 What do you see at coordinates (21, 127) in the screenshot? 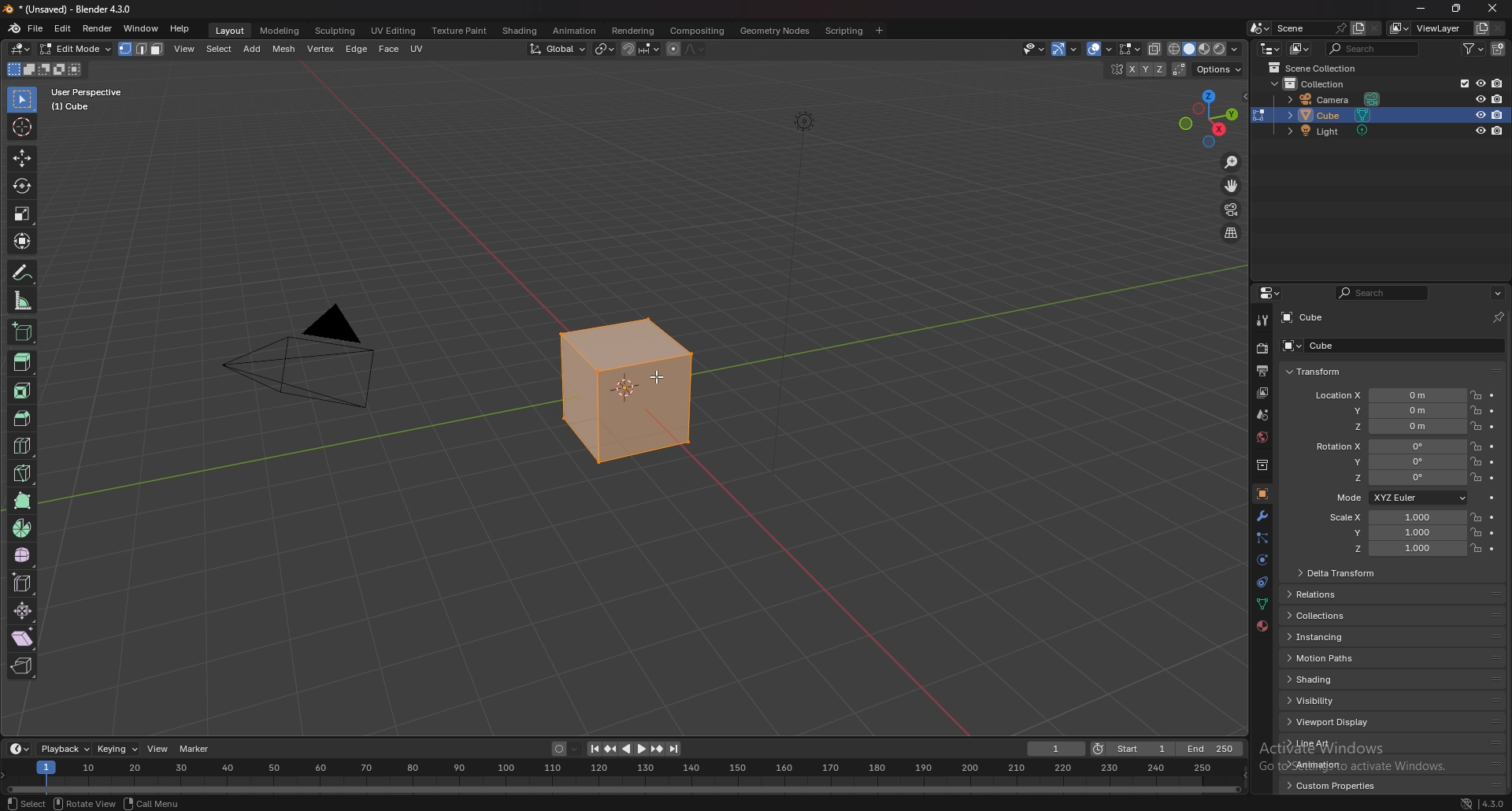
I see `cursor` at bounding box center [21, 127].